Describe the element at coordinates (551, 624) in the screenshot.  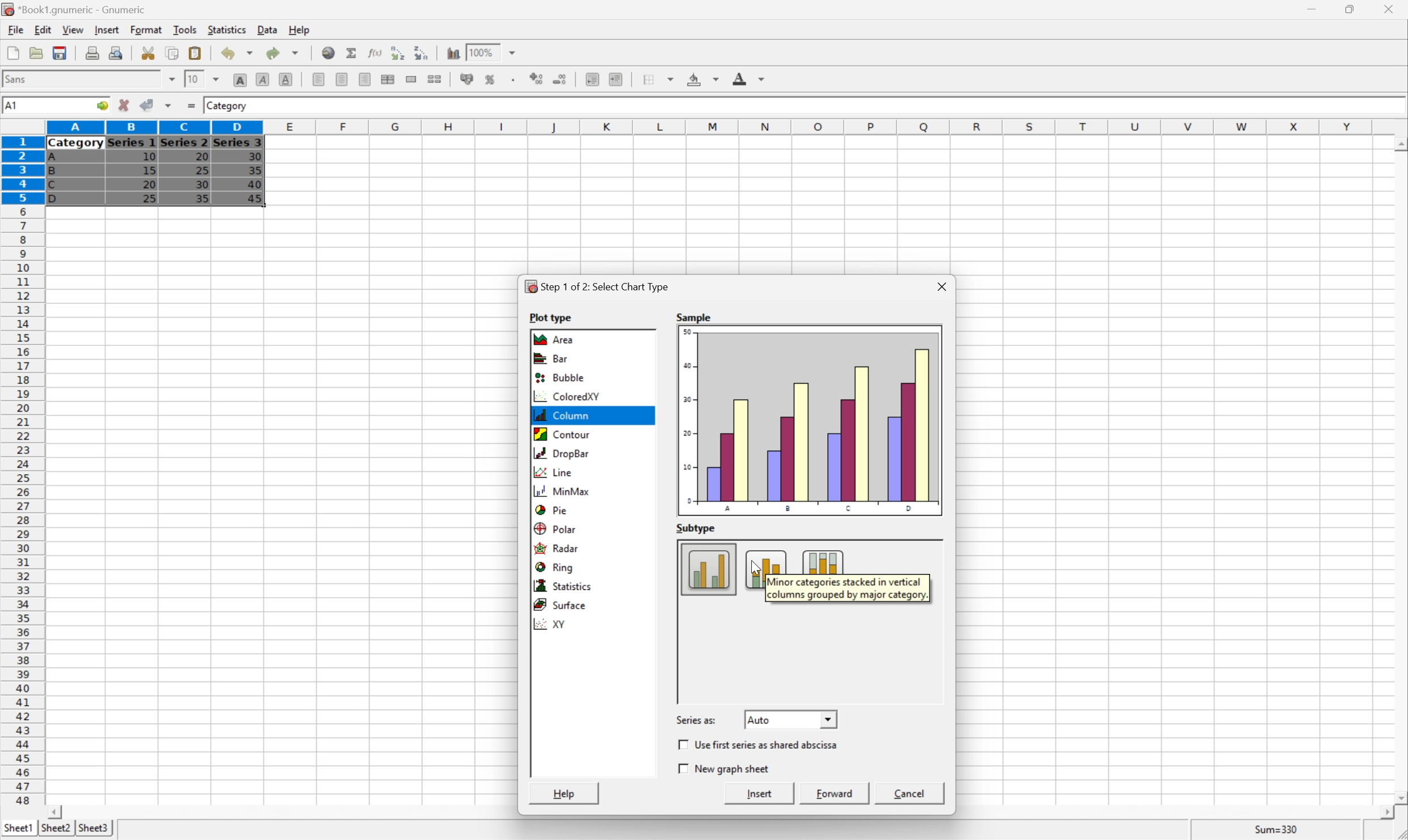
I see `XY` at that location.